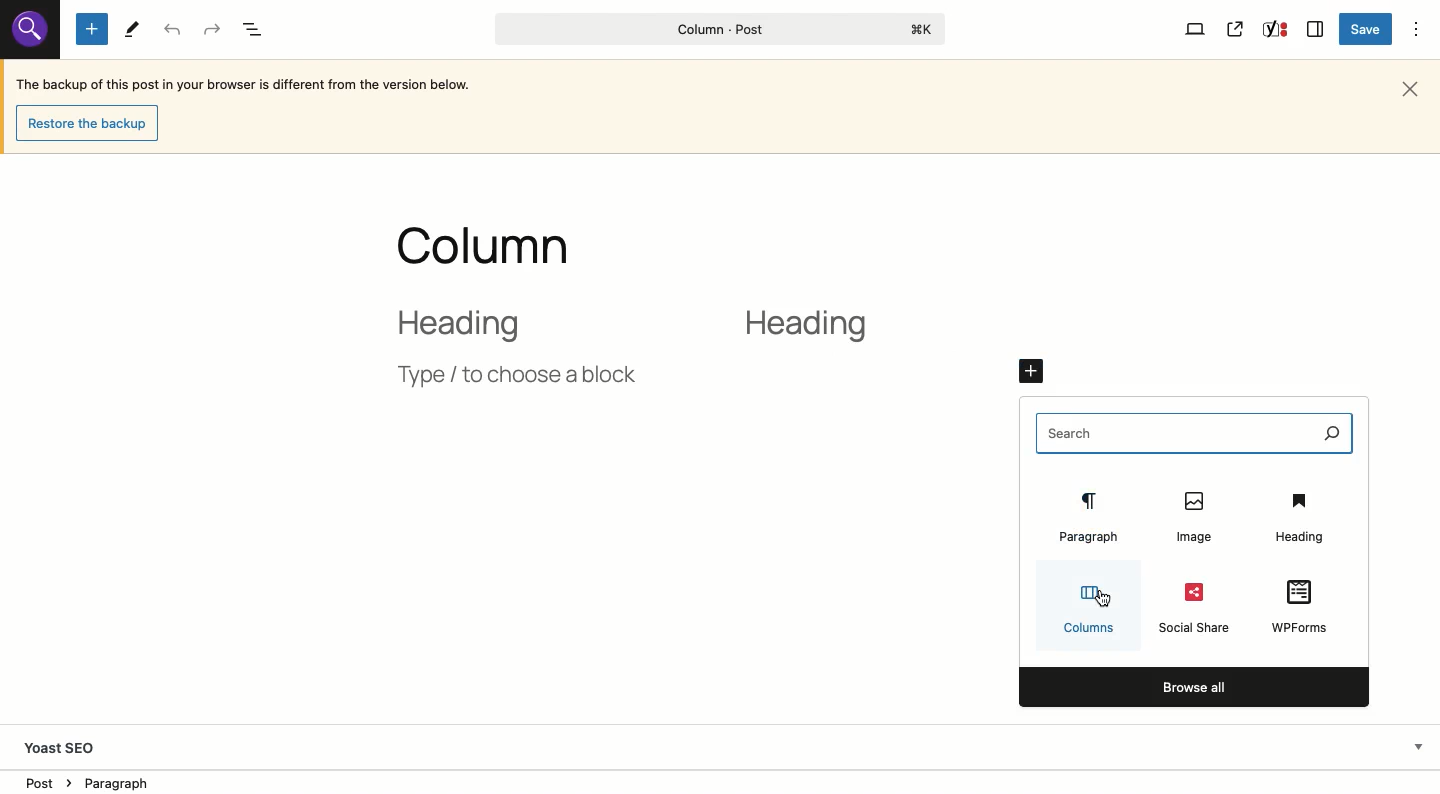  What do you see at coordinates (499, 241) in the screenshot?
I see `Title` at bounding box center [499, 241].